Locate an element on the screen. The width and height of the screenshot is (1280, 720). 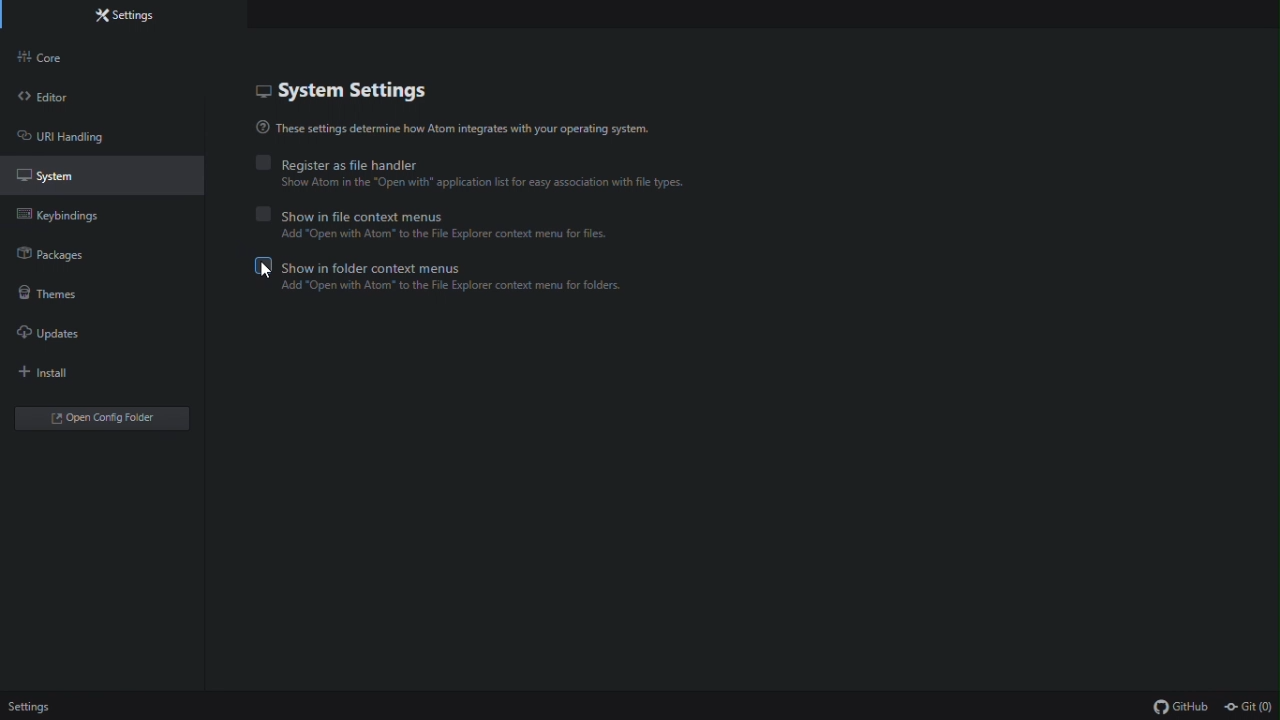
key bindings is located at coordinates (101, 212).